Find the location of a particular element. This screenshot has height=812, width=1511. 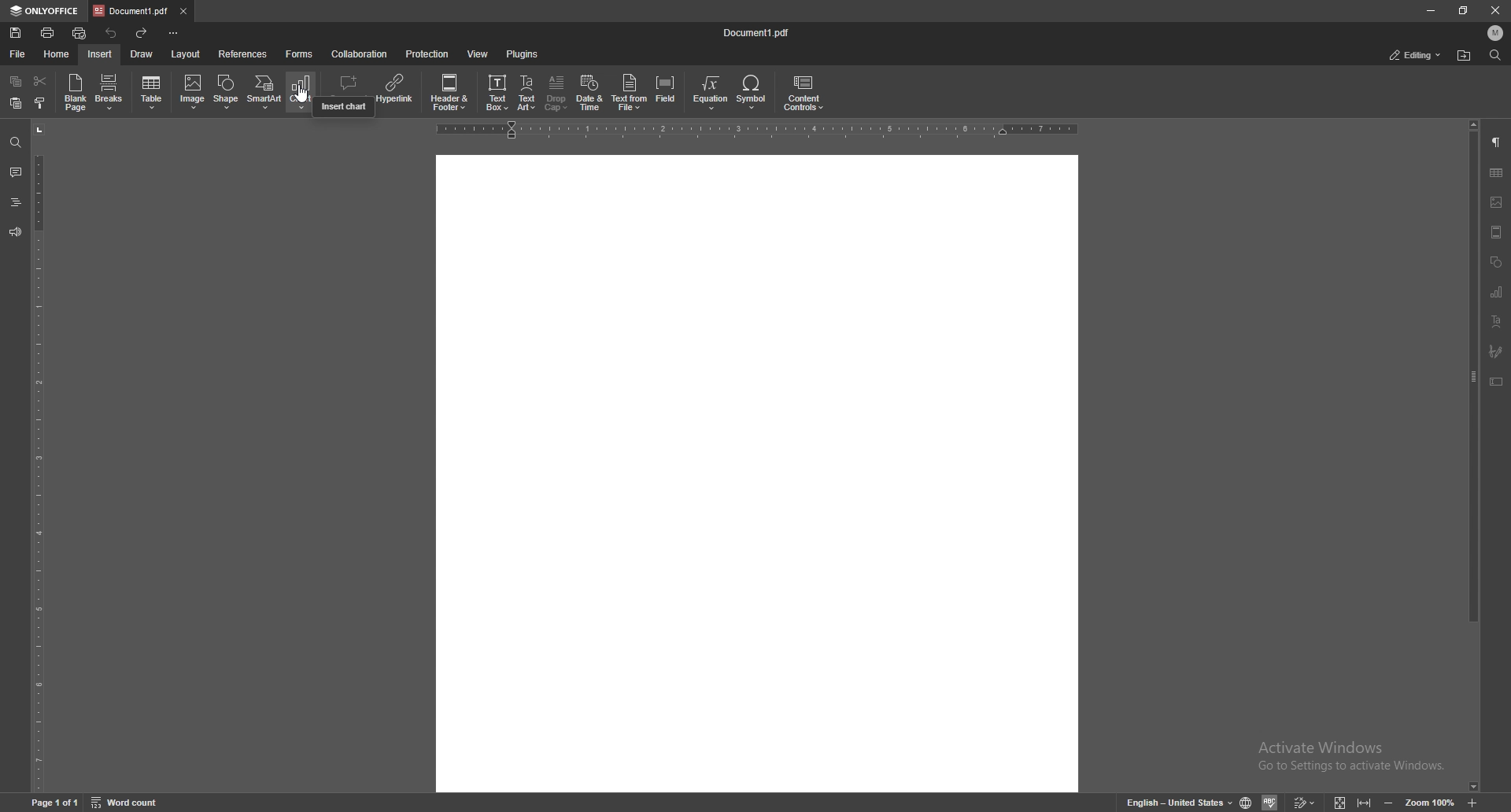

home is located at coordinates (57, 54).